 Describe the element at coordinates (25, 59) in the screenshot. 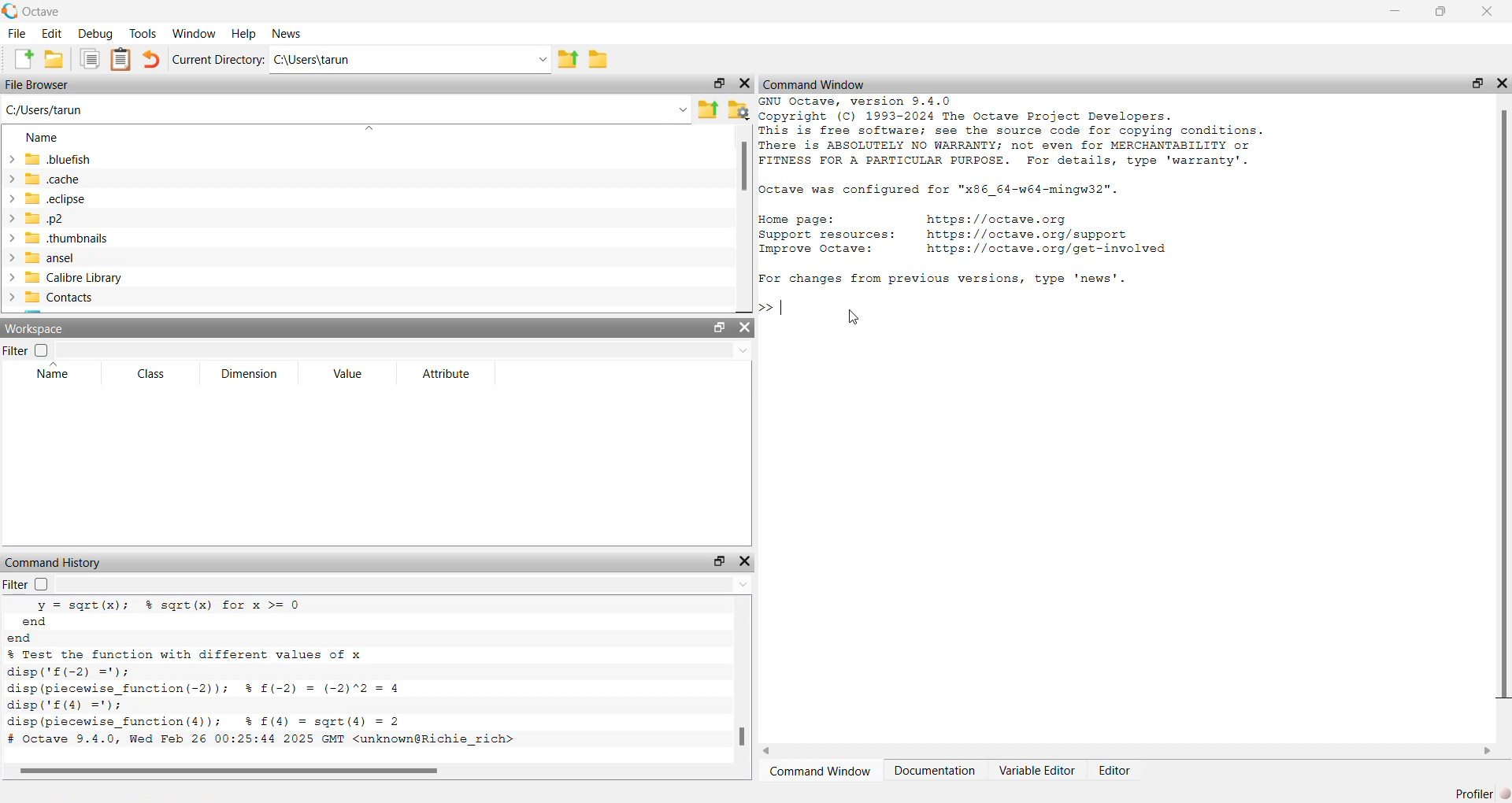

I see `New script` at that location.